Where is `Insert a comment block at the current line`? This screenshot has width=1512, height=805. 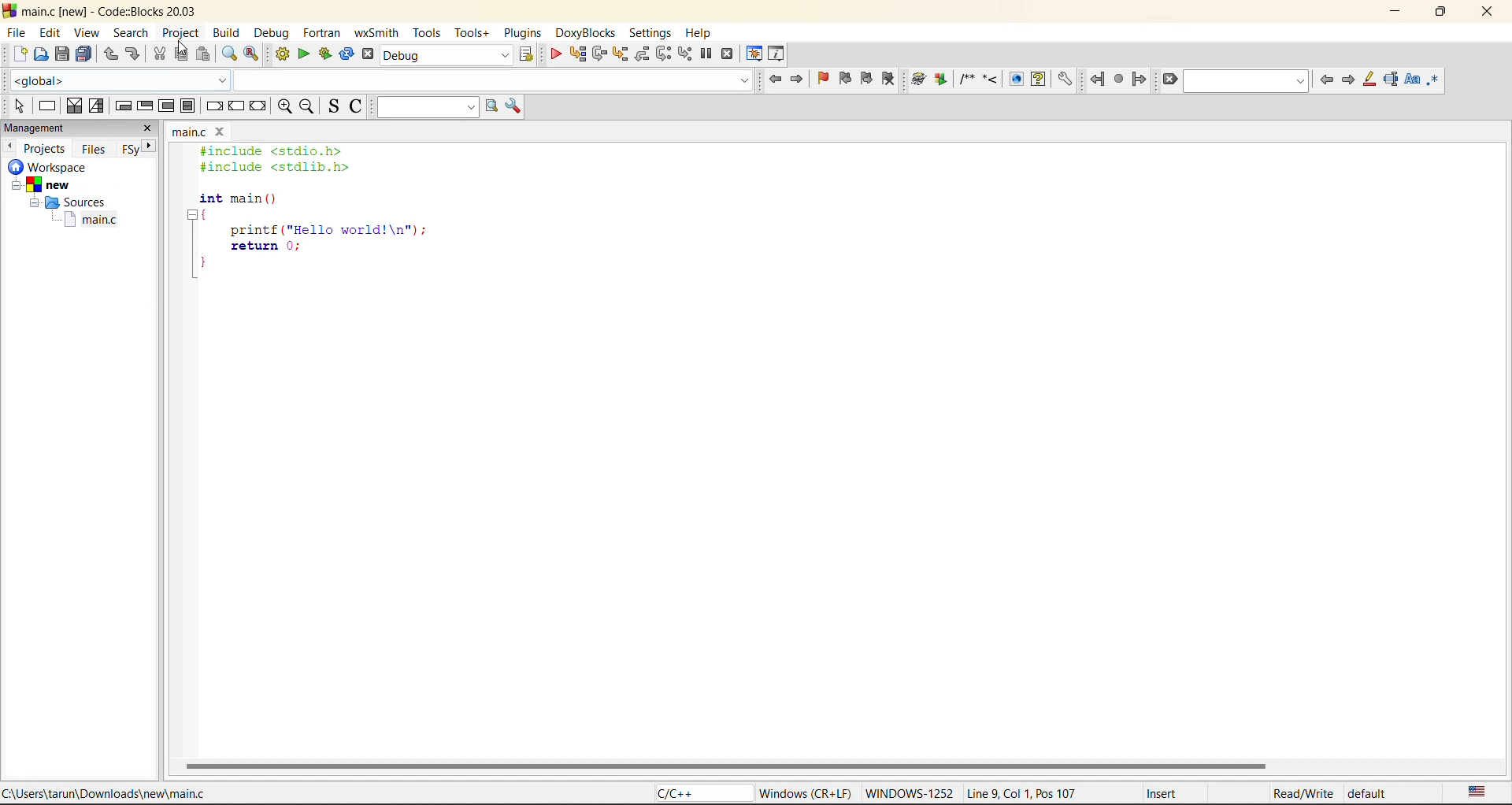
Insert a comment block at the current line is located at coordinates (966, 80).